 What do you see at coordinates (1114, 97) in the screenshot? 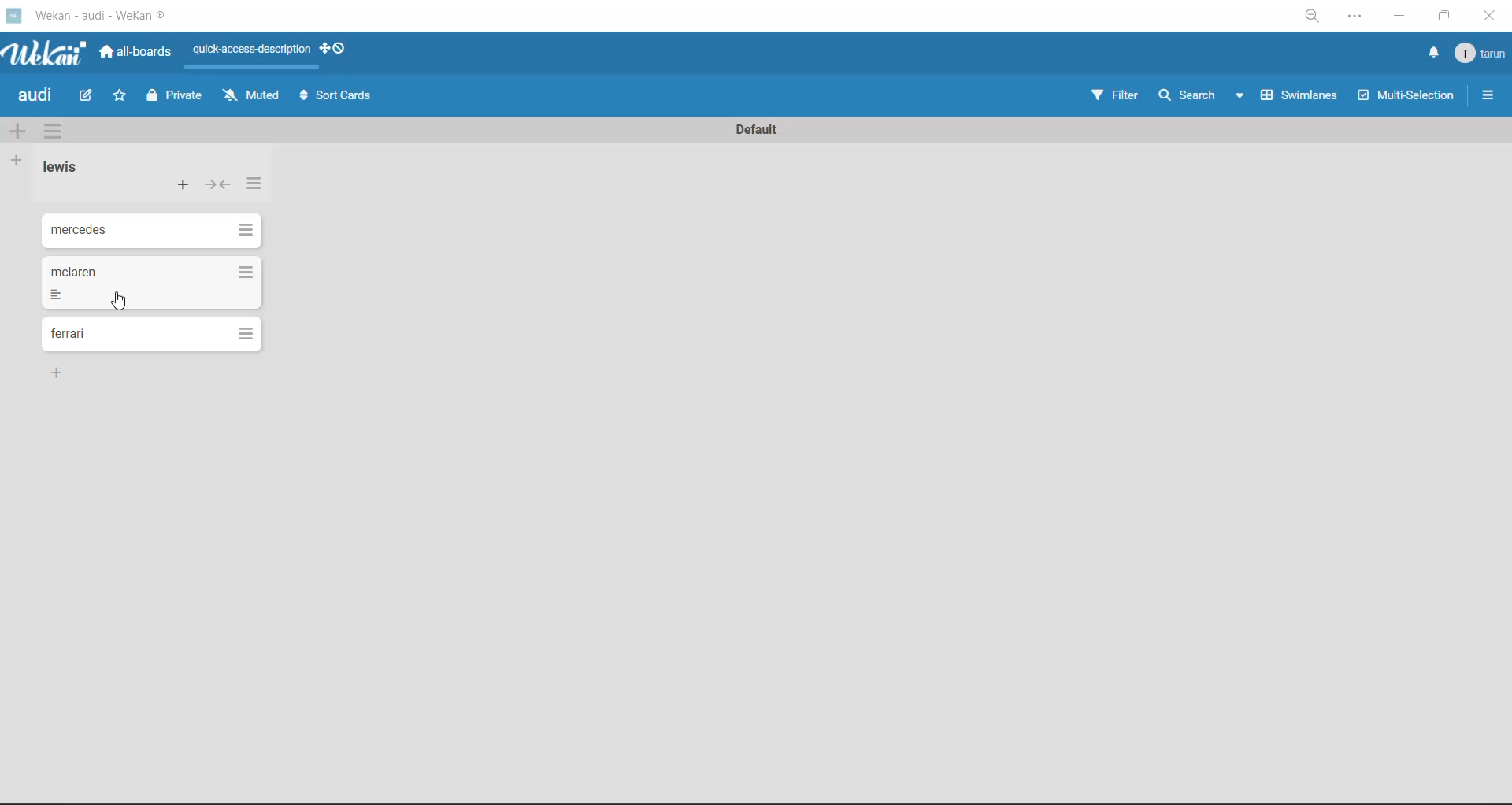
I see `filter` at bounding box center [1114, 97].